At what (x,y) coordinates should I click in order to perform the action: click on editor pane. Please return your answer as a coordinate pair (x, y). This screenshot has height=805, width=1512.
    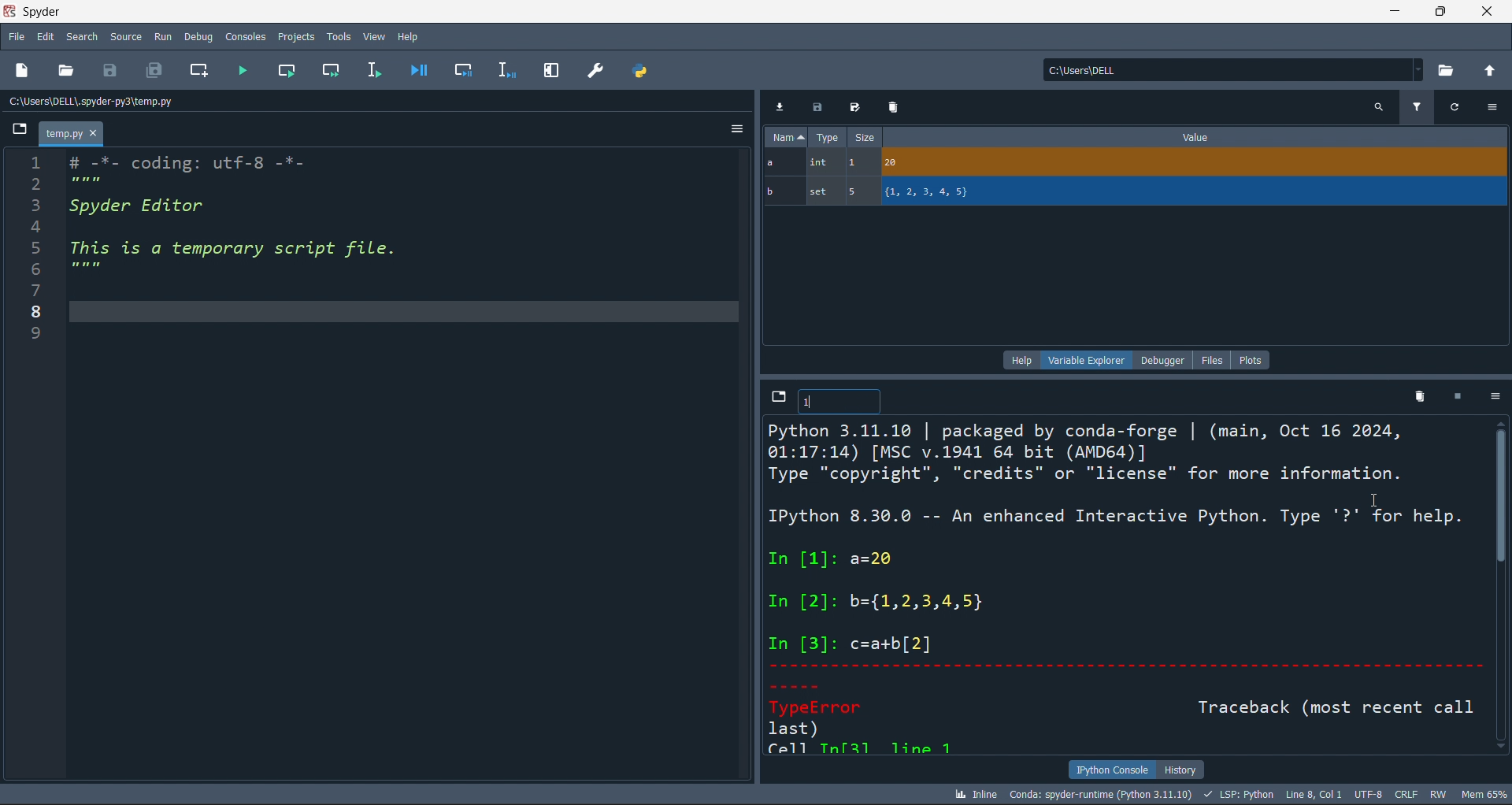
    Looking at the image, I should click on (404, 466).